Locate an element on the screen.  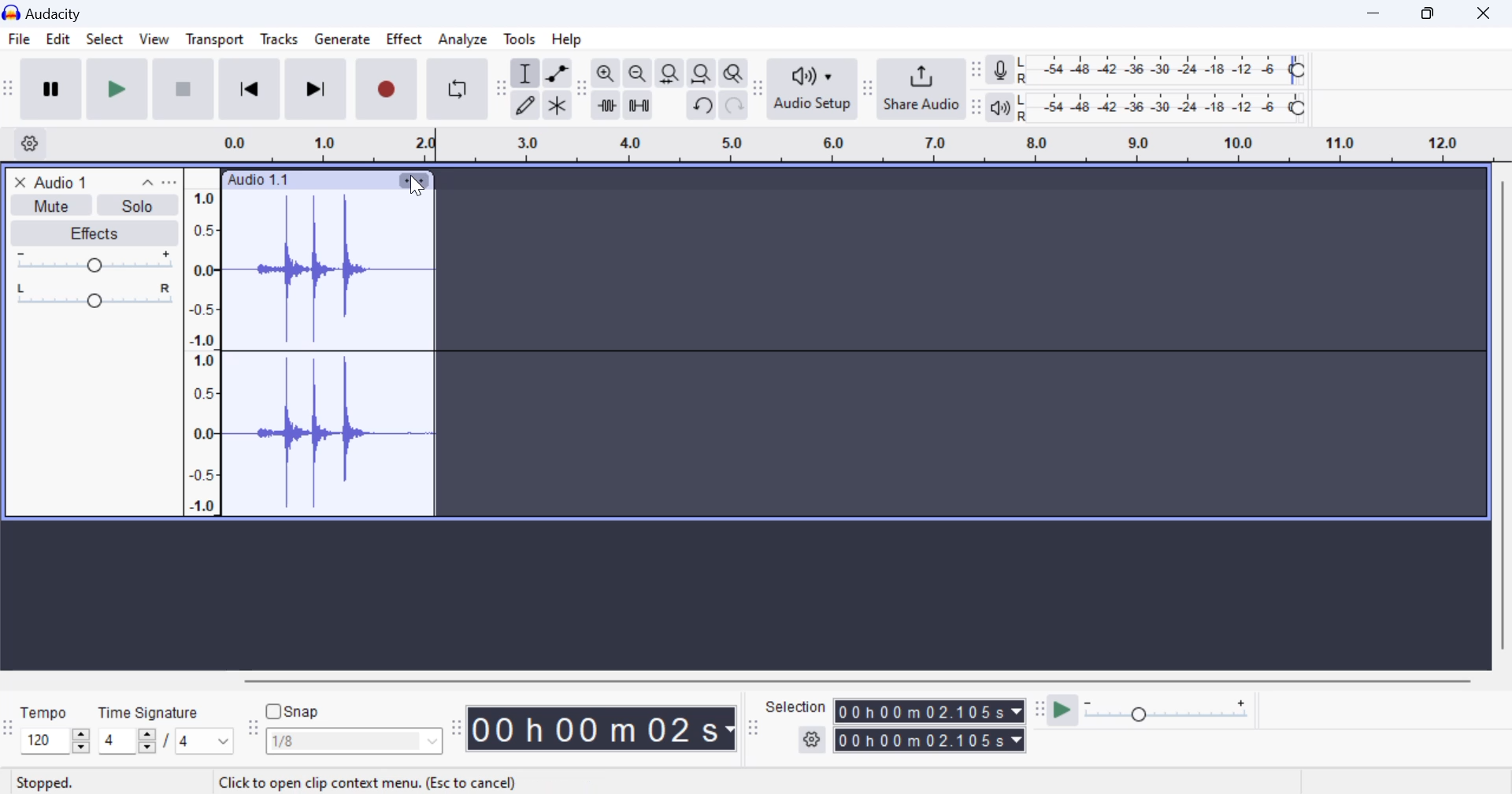
Play is located at coordinates (118, 88).